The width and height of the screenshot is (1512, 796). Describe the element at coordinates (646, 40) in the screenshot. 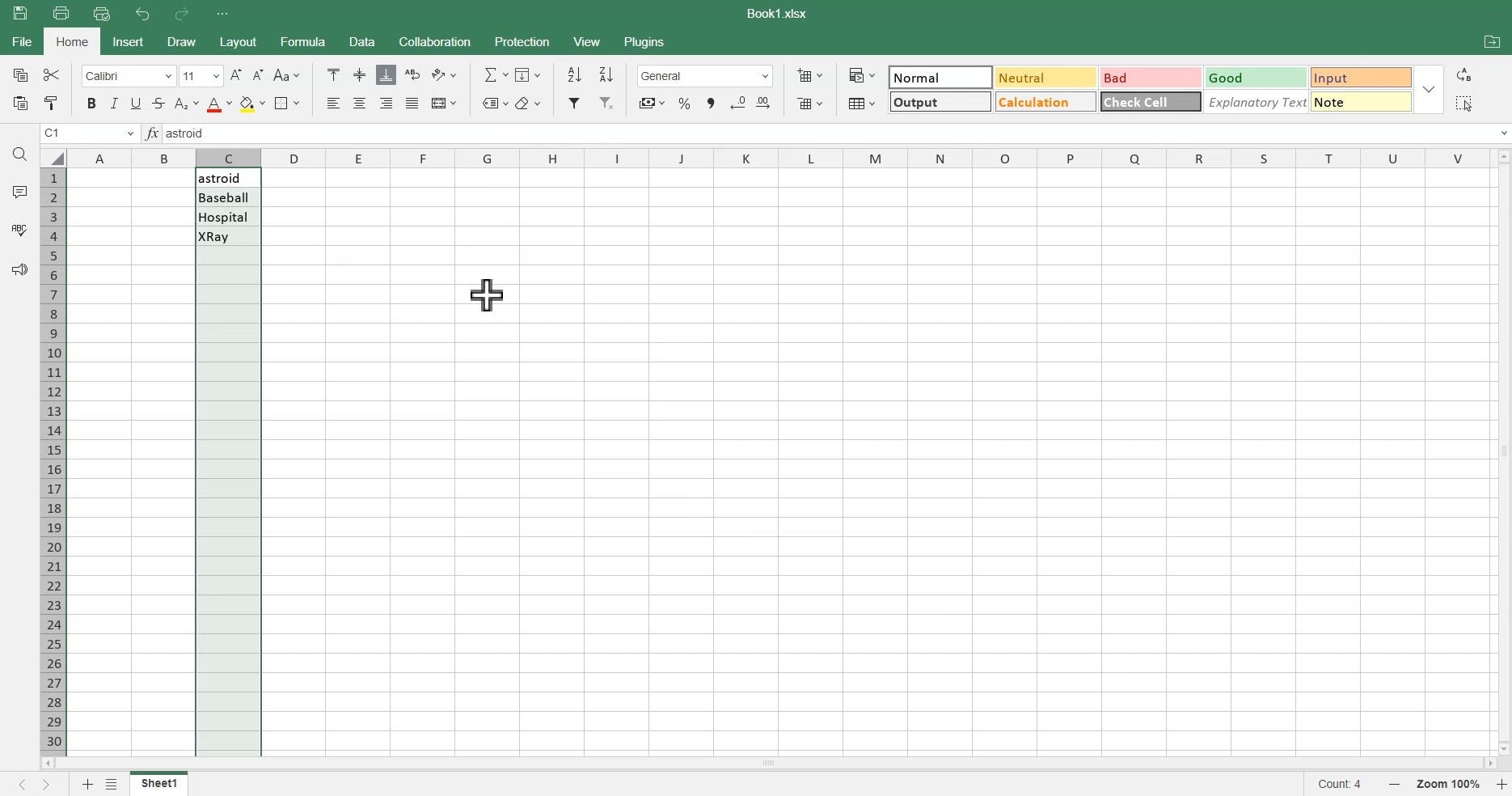

I see `Plugins` at that location.